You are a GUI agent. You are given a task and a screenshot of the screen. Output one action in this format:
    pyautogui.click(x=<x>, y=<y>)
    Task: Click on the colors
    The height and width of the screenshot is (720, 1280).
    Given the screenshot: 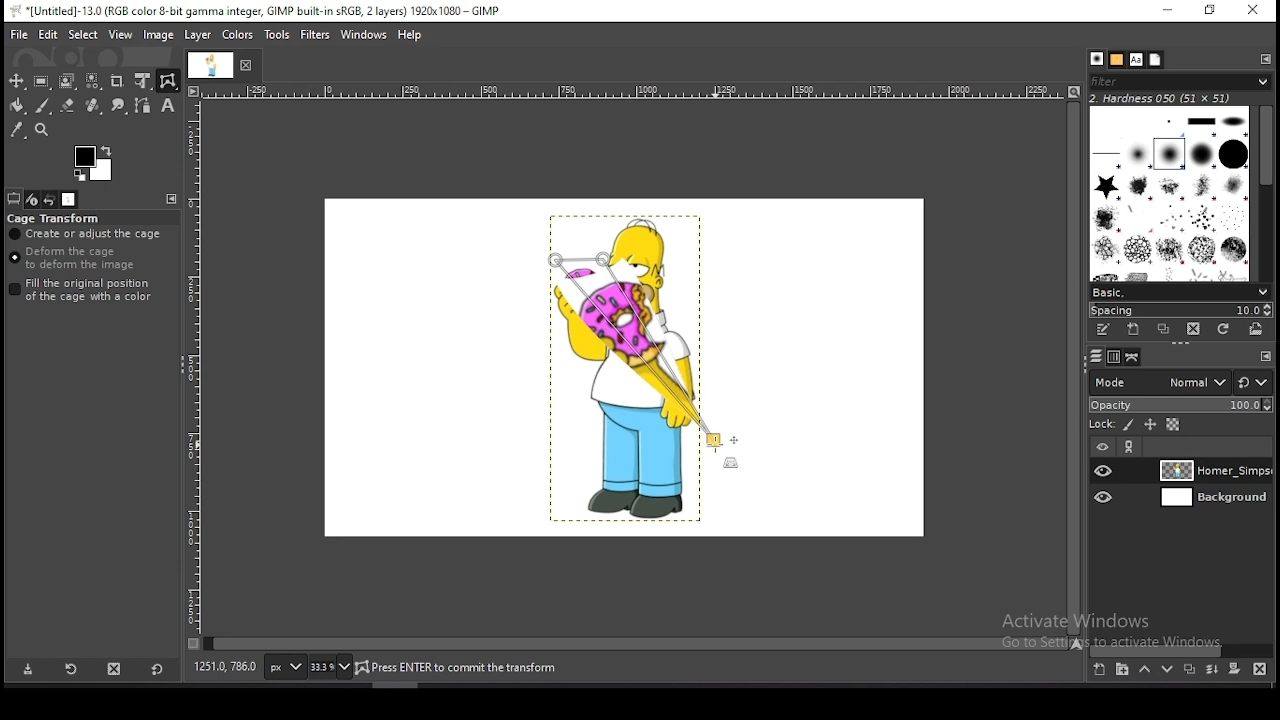 What is the action you would take?
    pyautogui.click(x=237, y=35)
    